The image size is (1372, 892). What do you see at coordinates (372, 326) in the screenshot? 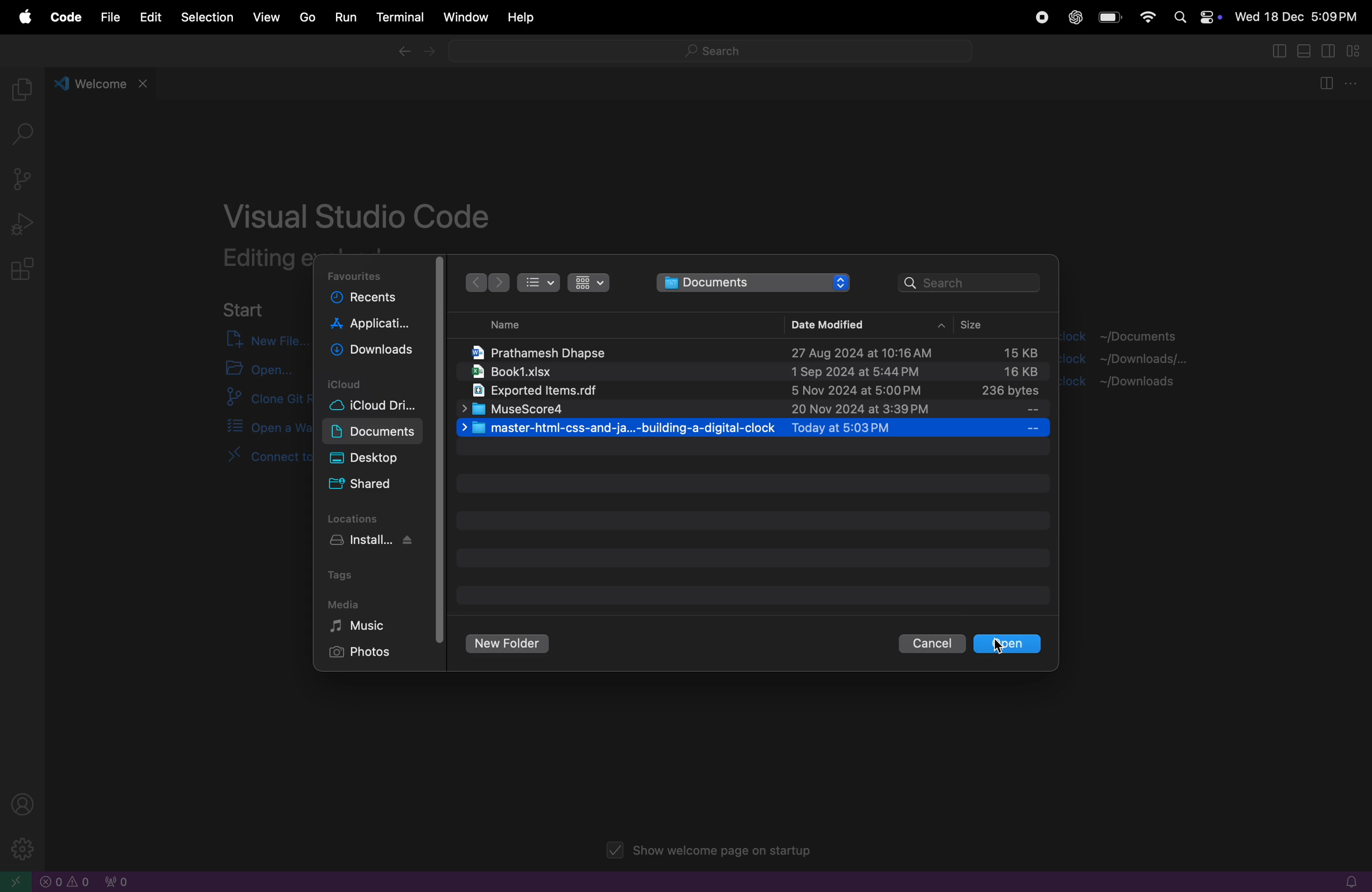
I see `applications` at bounding box center [372, 326].